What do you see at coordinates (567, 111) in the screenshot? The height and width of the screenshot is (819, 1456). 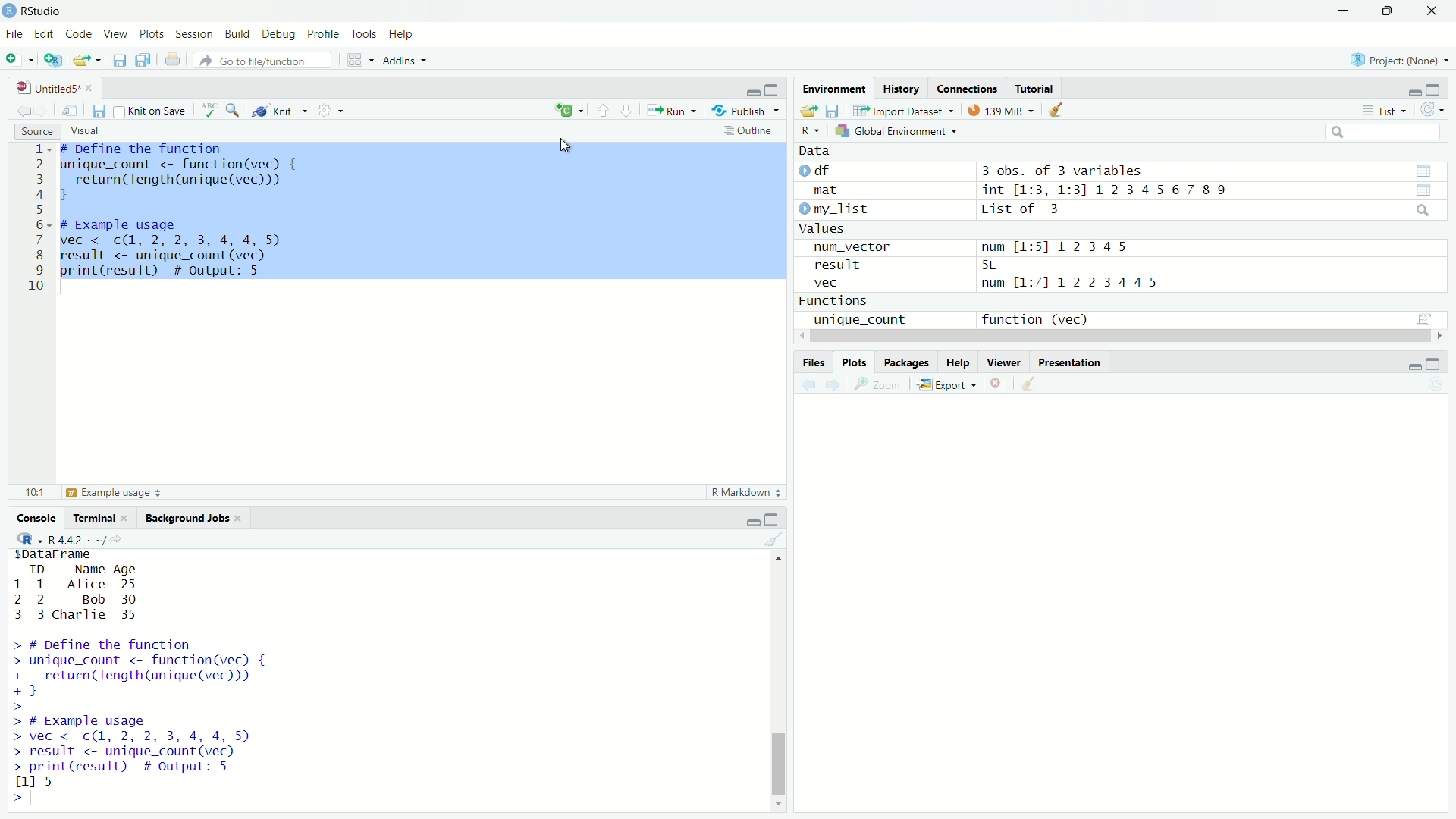 I see `insert new code chunk` at bounding box center [567, 111].